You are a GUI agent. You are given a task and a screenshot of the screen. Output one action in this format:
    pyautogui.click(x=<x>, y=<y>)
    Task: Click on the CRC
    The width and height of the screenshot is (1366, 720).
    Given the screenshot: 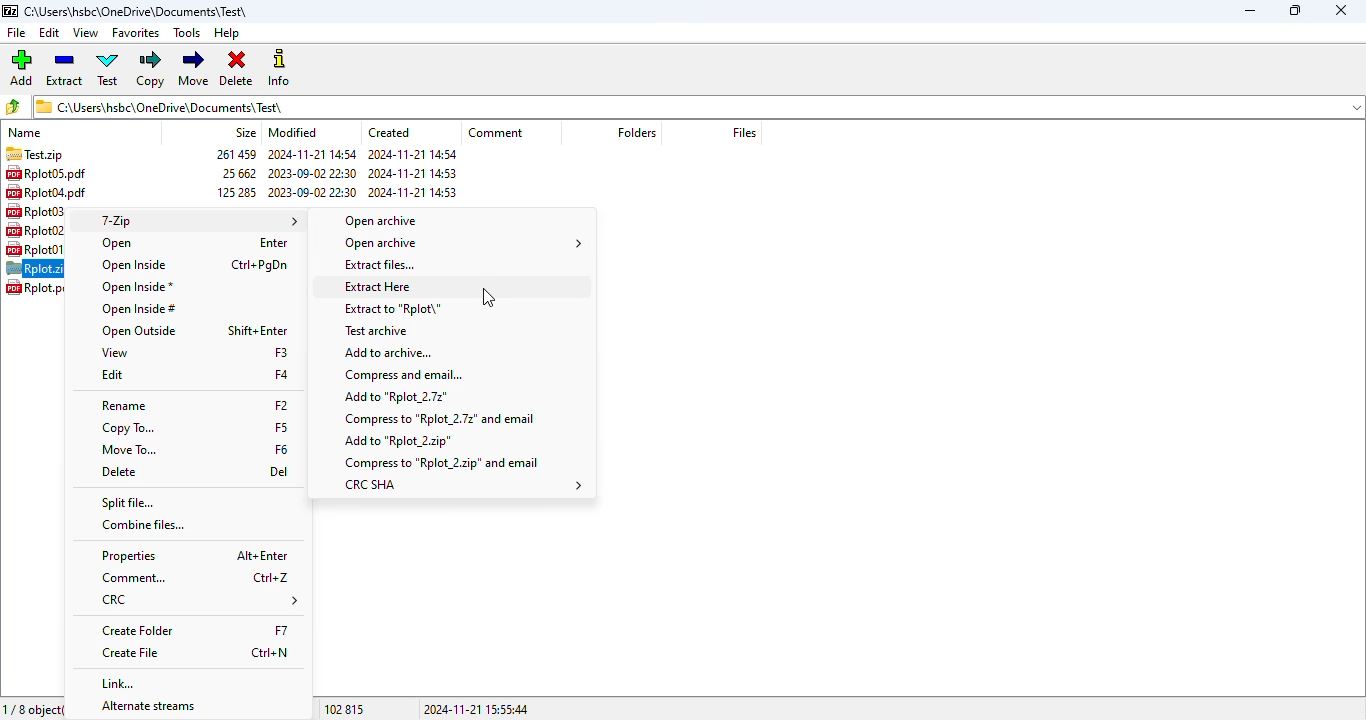 What is the action you would take?
    pyautogui.click(x=197, y=599)
    